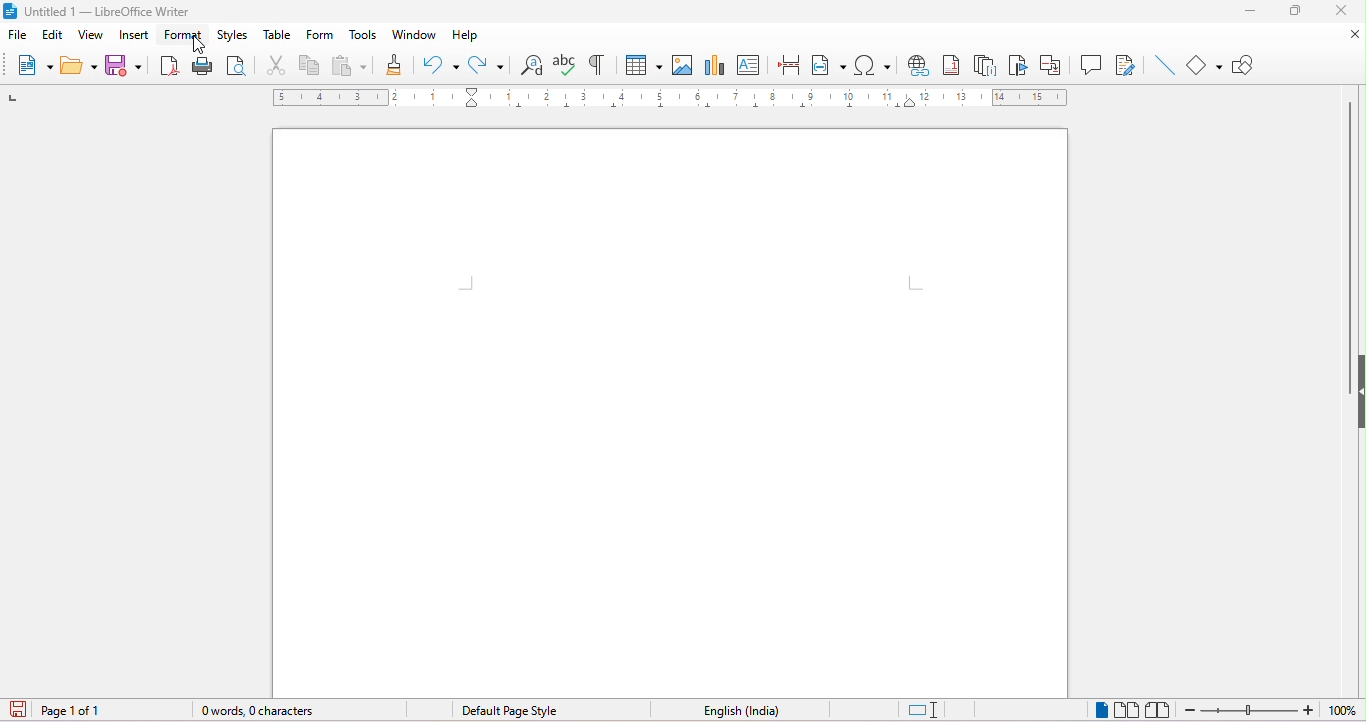  What do you see at coordinates (350, 67) in the screenshot?
I see `paste` at bounding box center [350, 67].